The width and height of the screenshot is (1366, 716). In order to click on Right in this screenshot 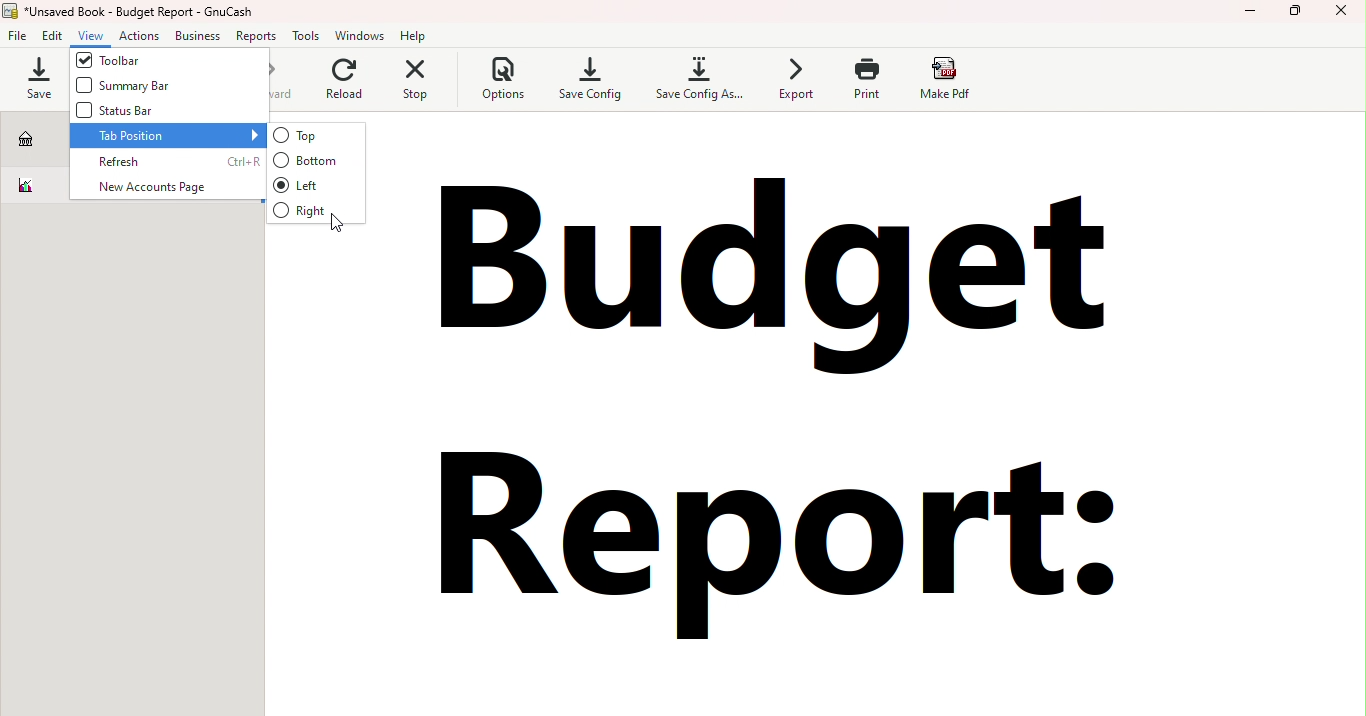, I will do `click(315, 210)`.